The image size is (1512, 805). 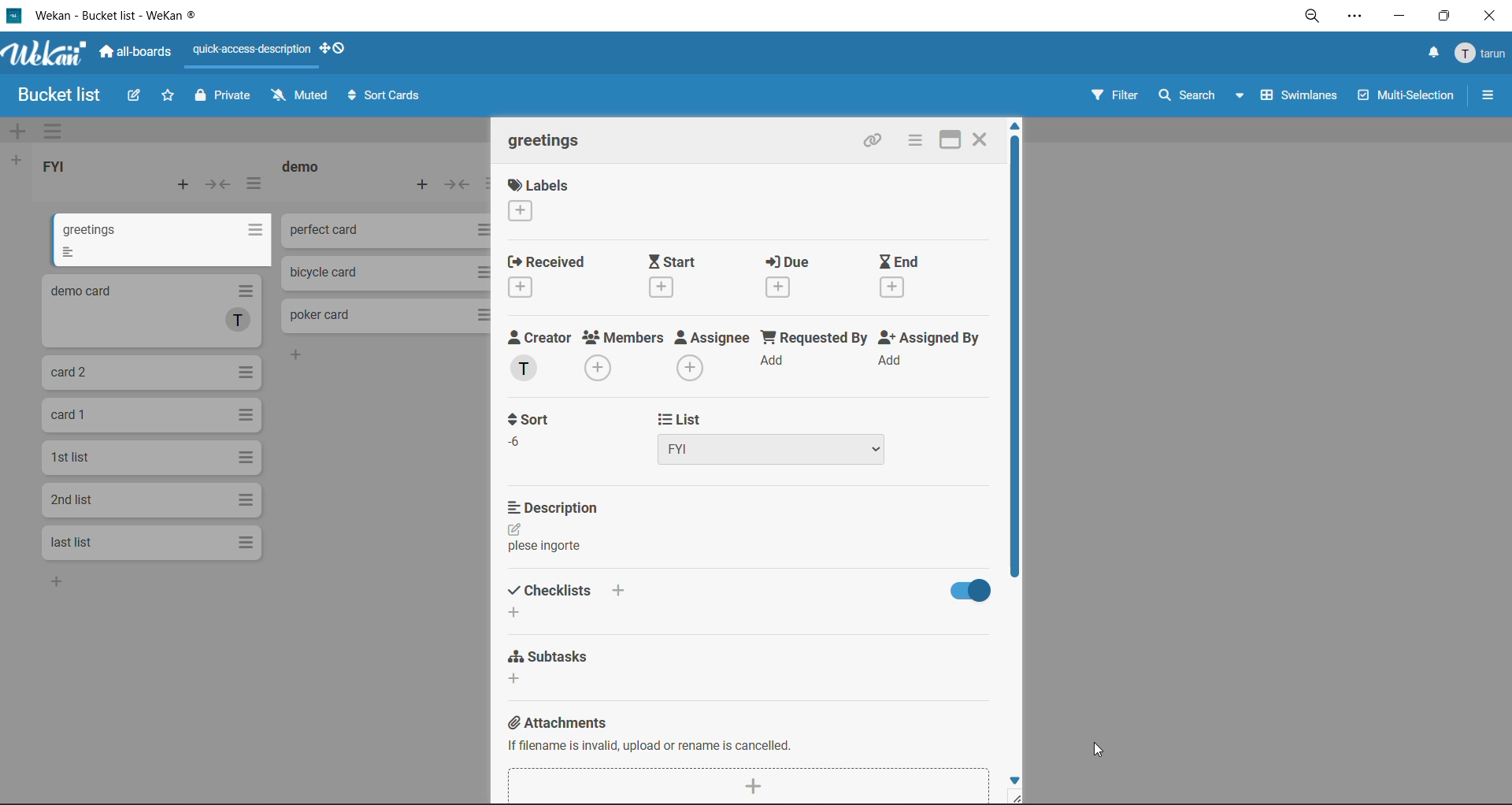 I want to click on multiselection, so click(x=1411, y=95).